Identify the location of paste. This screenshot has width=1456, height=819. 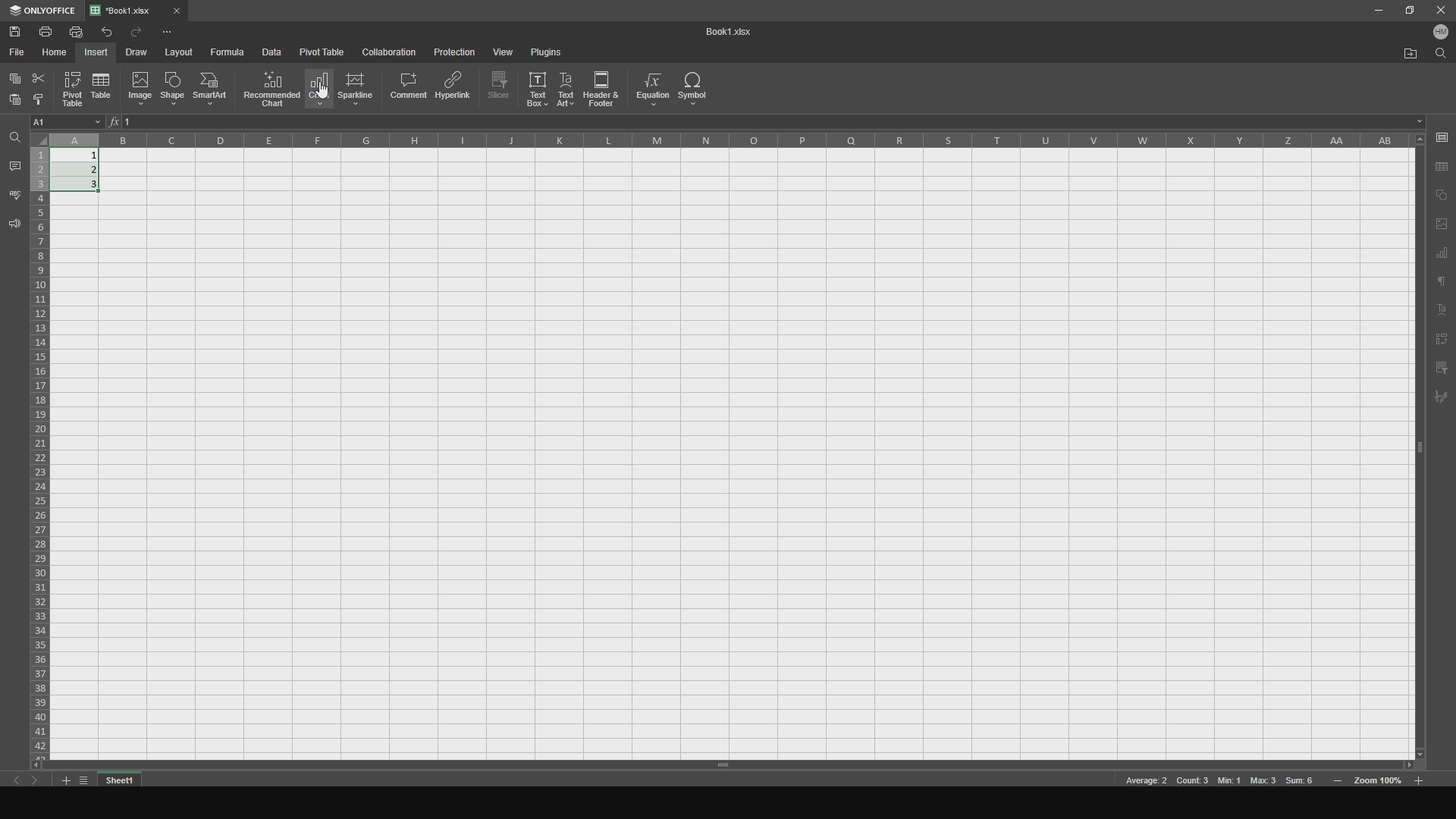
(12, 104).